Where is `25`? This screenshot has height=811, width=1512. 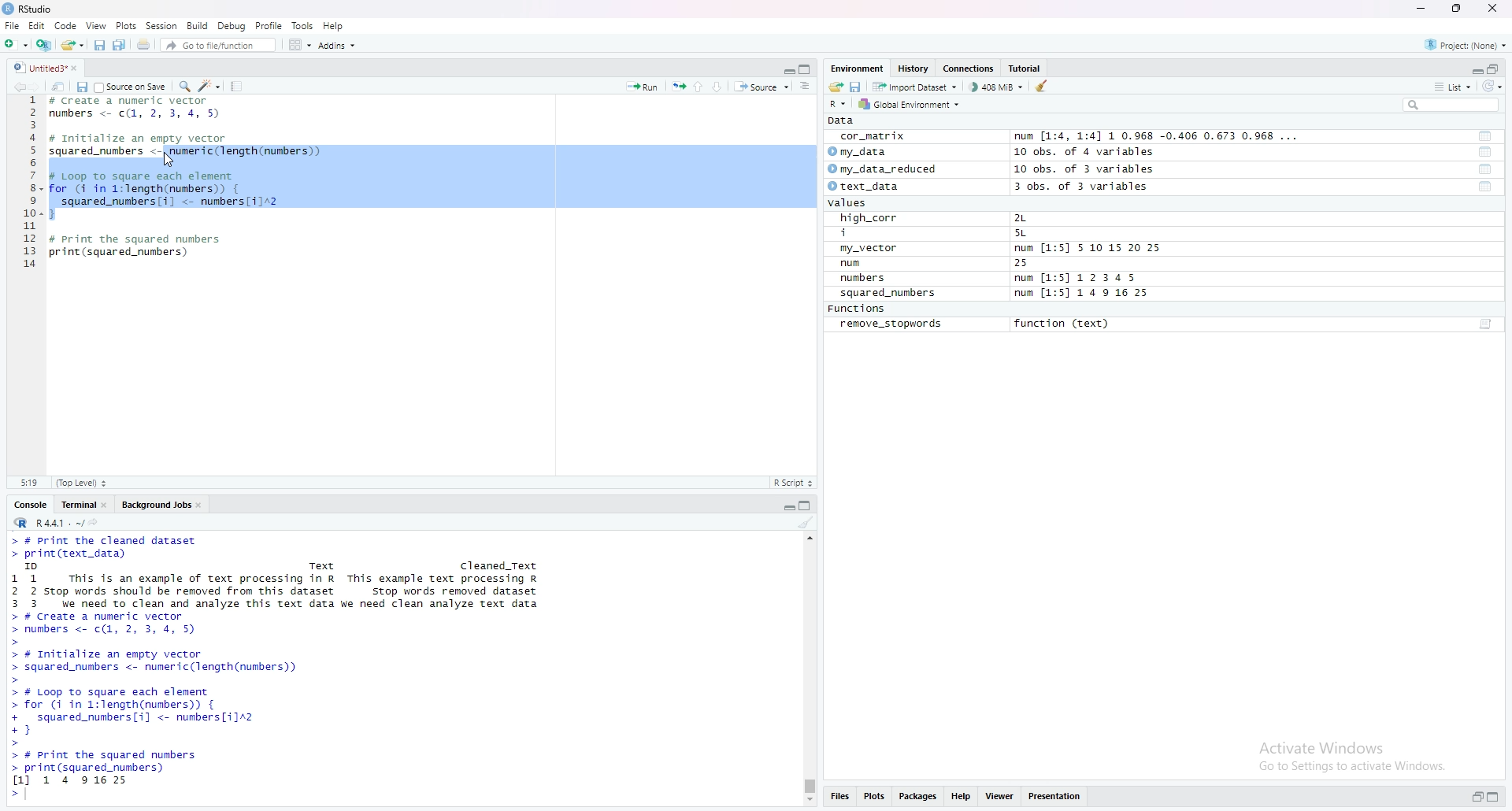
25 is located at coordinates (1037, 264).